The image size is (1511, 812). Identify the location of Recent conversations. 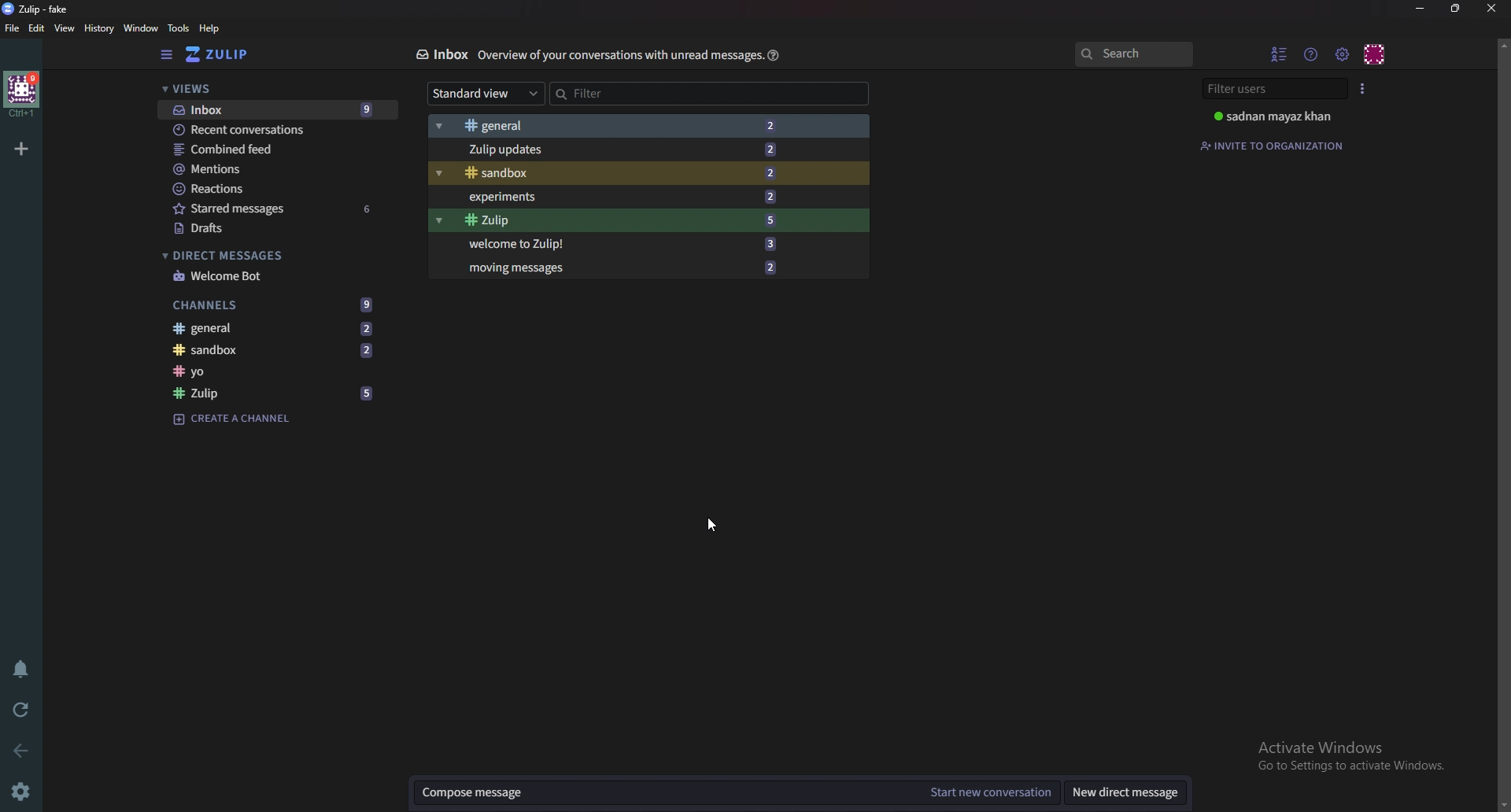
(273, 130).